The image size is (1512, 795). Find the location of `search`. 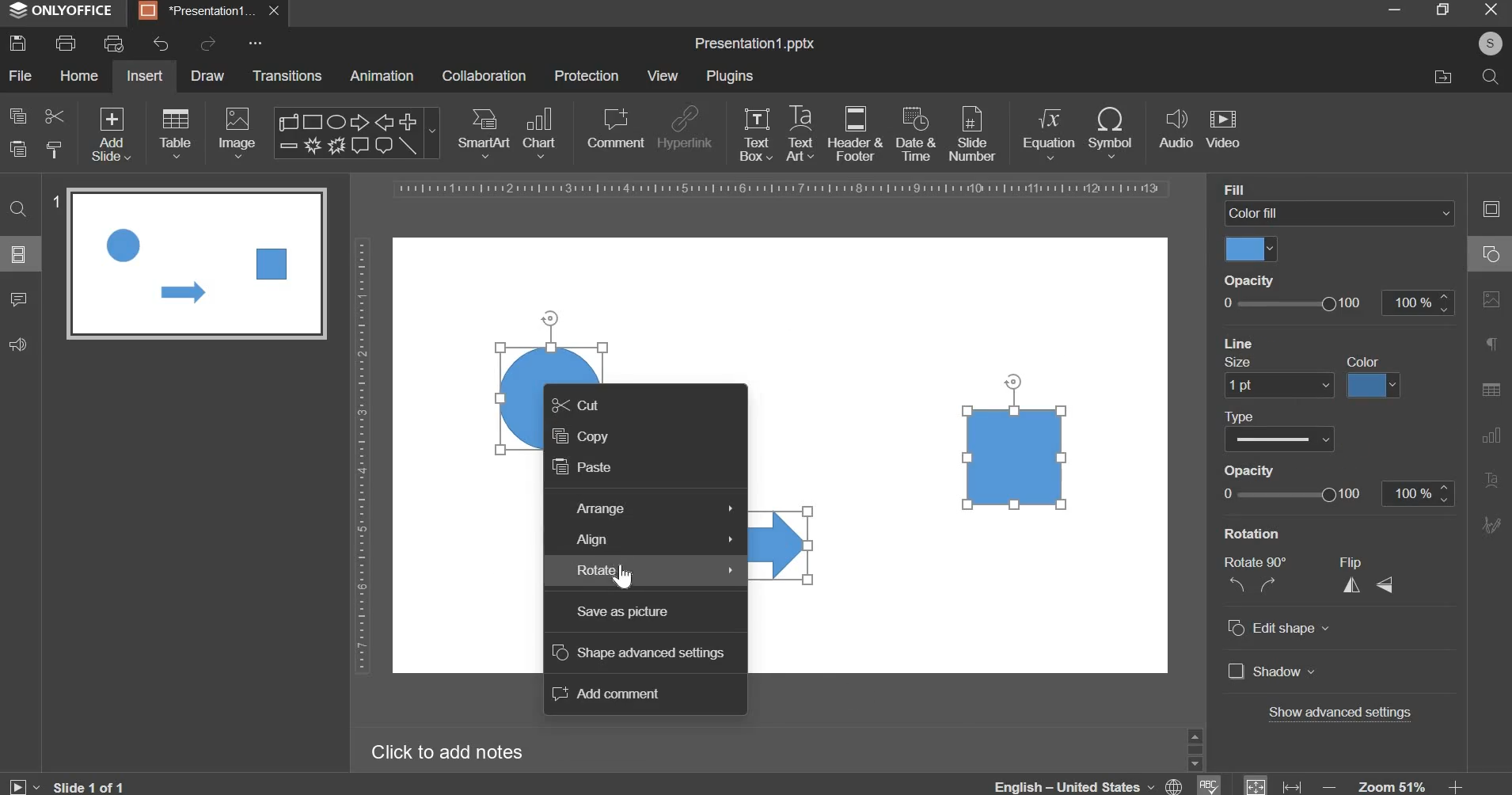

search is located at coordinates (1489, 75).